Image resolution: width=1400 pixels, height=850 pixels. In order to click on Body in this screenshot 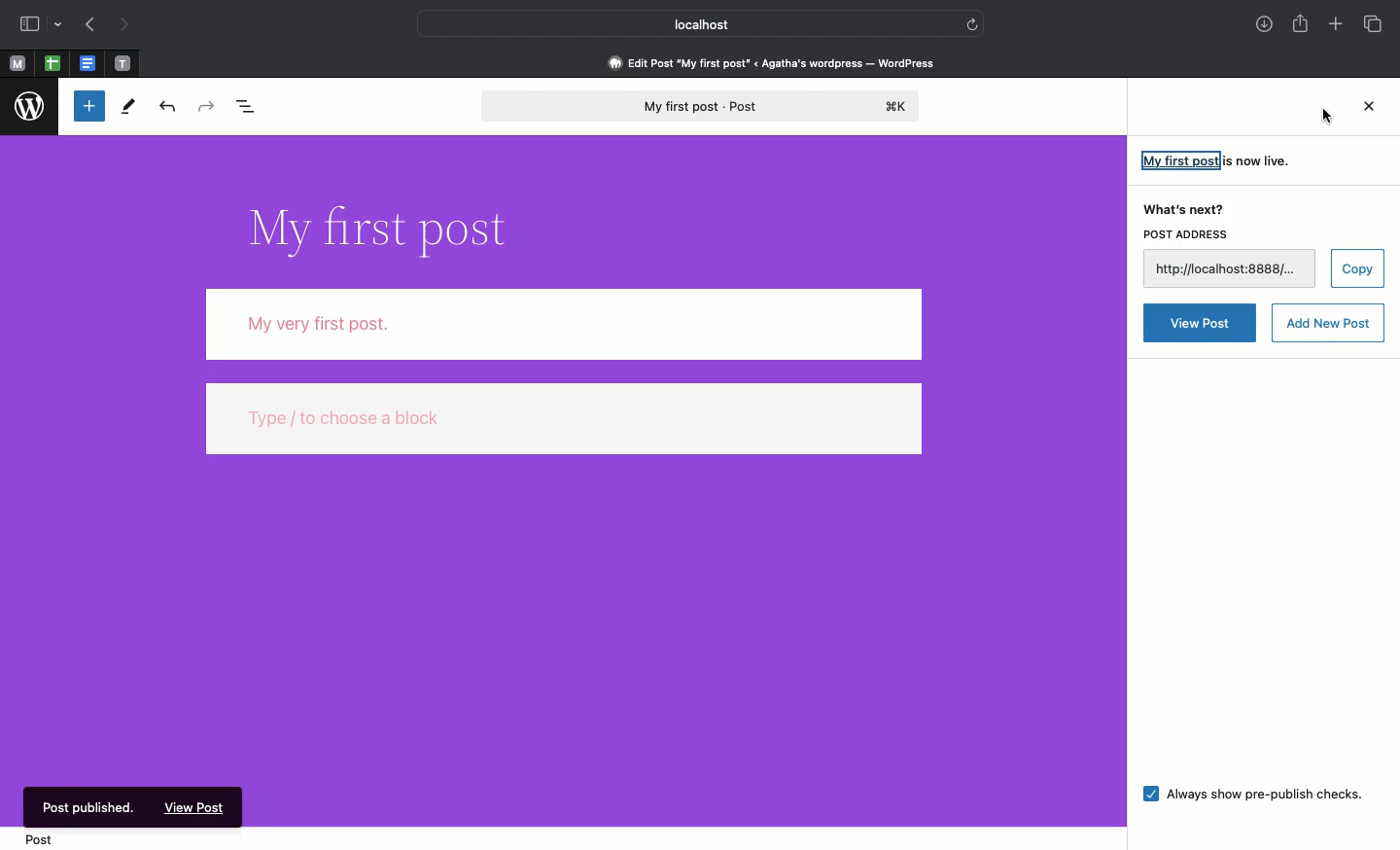, I will do `click(565, 324)`.